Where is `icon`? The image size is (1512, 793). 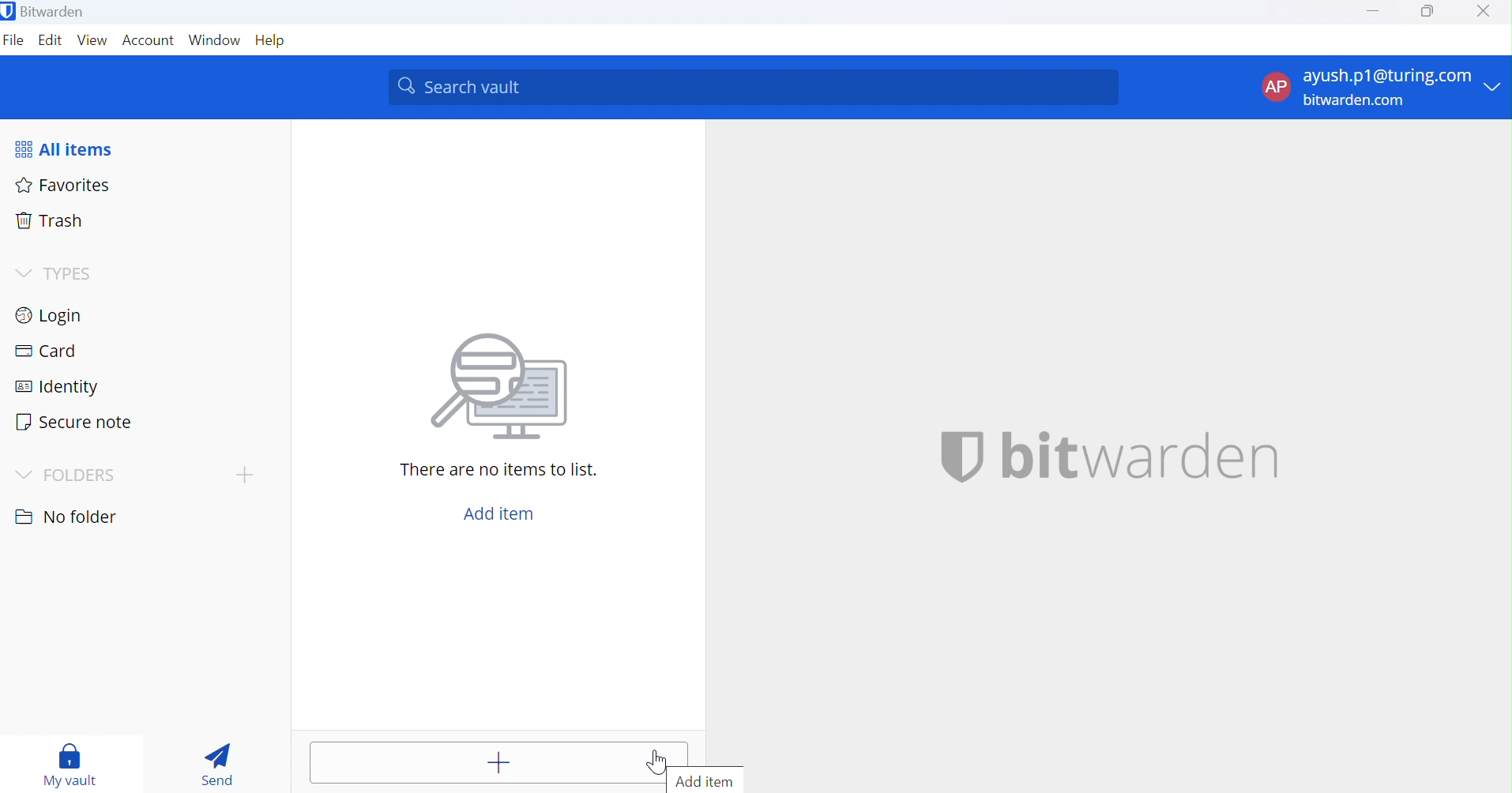
icon is located at coordinates (507, 392).